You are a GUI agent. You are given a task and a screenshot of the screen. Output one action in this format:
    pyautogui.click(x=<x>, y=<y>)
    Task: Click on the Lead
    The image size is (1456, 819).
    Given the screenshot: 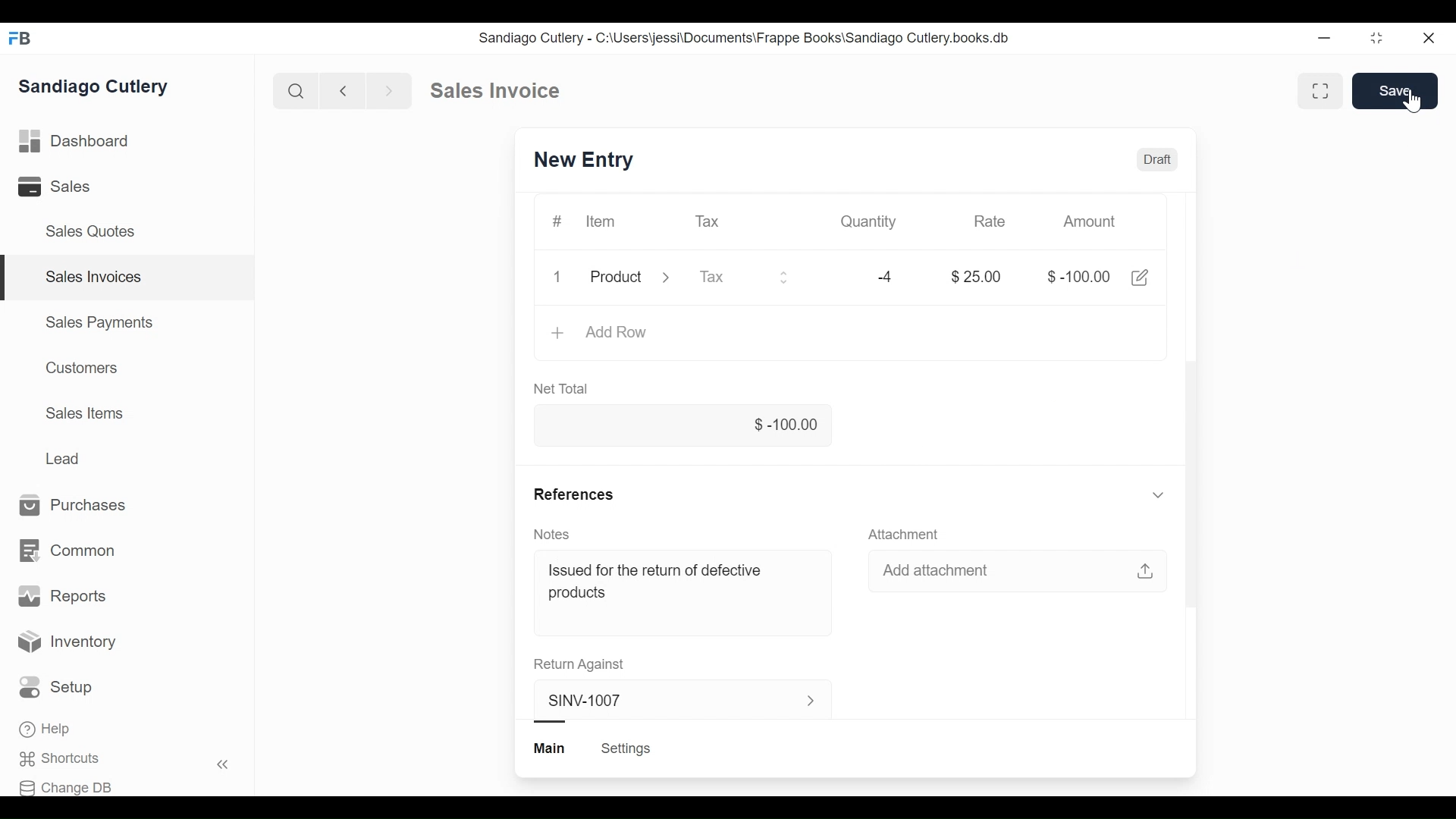 What is the action you would take?
    pyautogui.click(x=64, y=457)
    